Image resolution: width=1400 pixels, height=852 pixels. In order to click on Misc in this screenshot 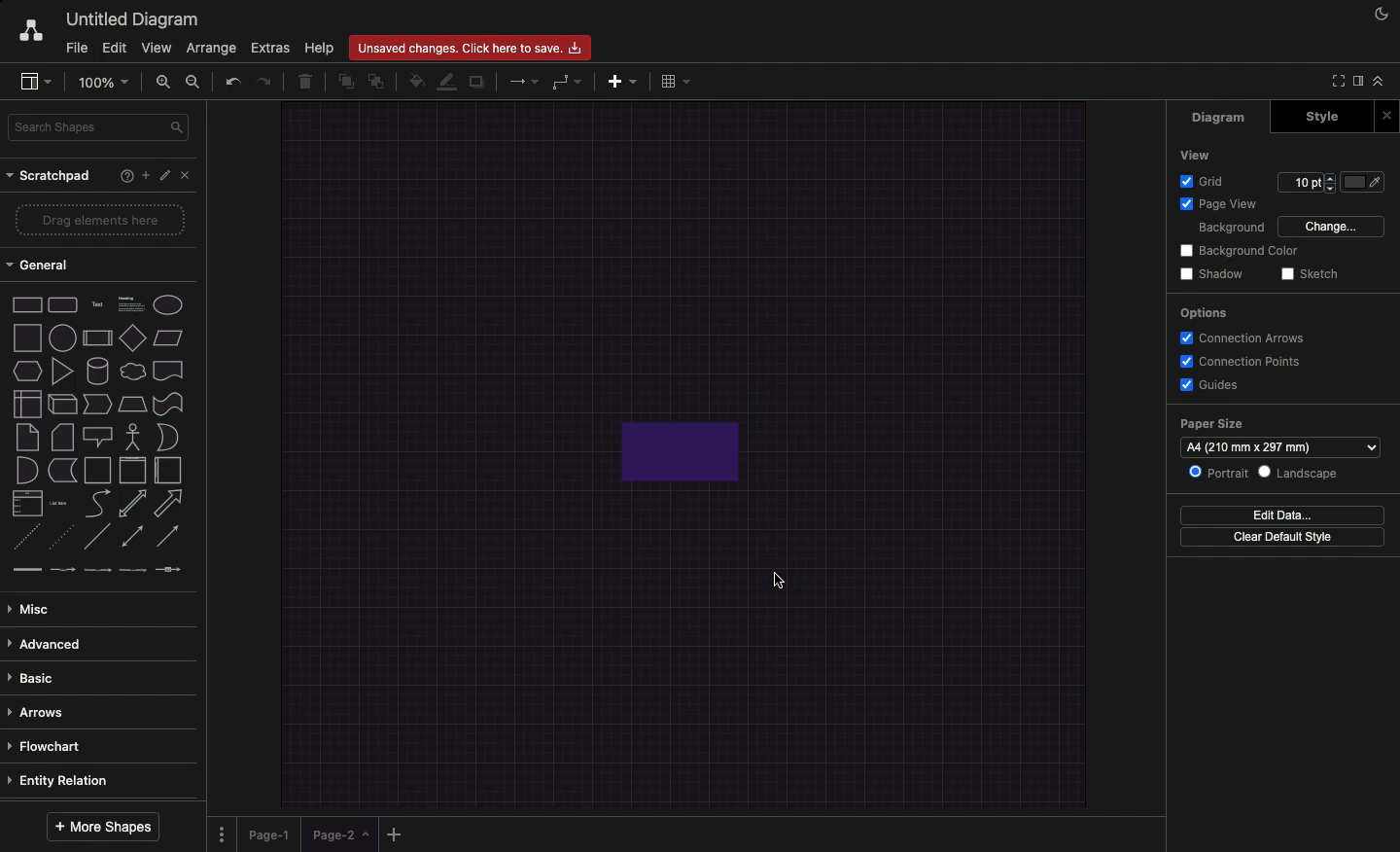, I will do `click(34, 604)`.